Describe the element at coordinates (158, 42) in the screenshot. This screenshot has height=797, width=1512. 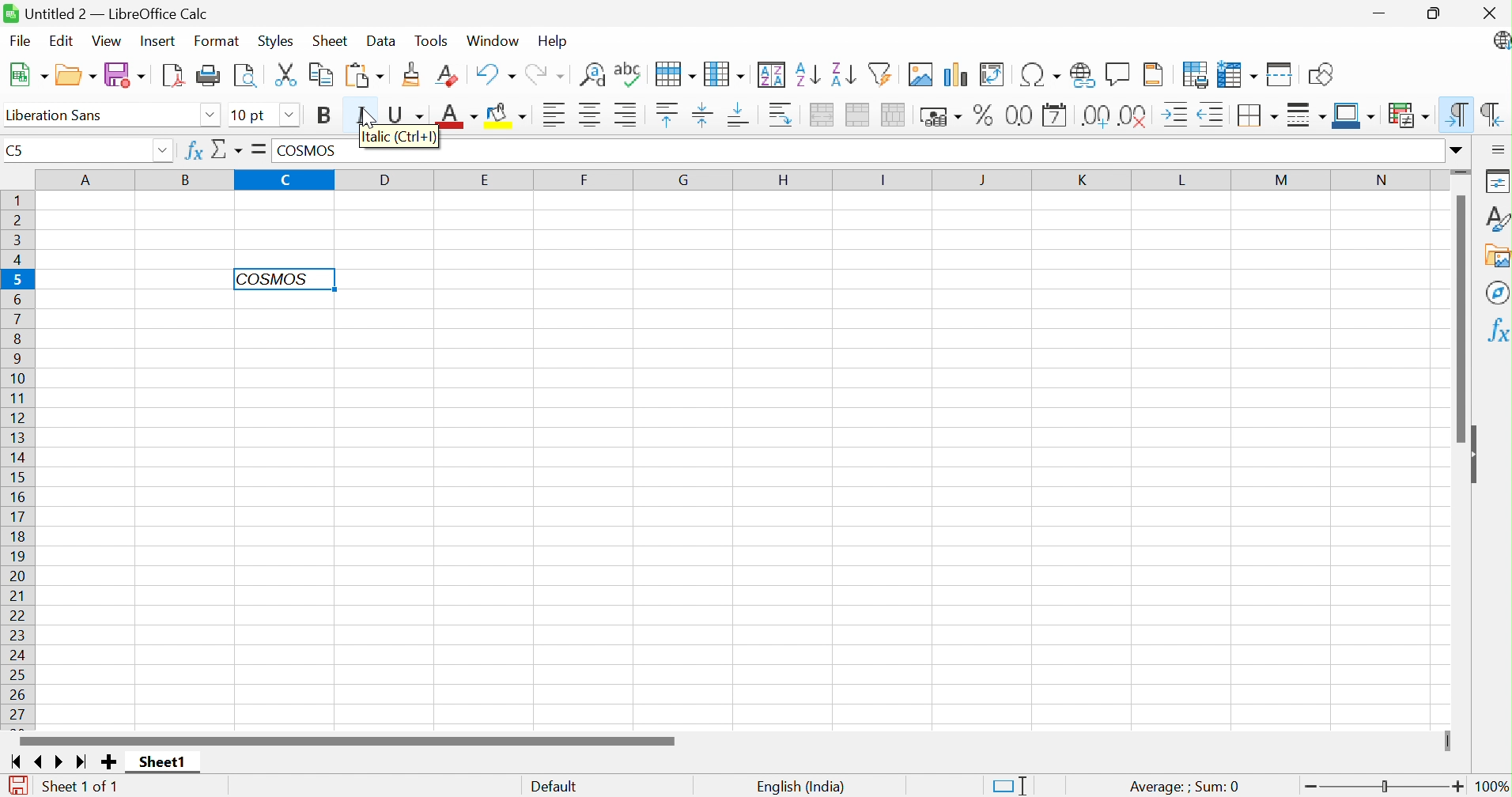
I see `Insert` at that location.